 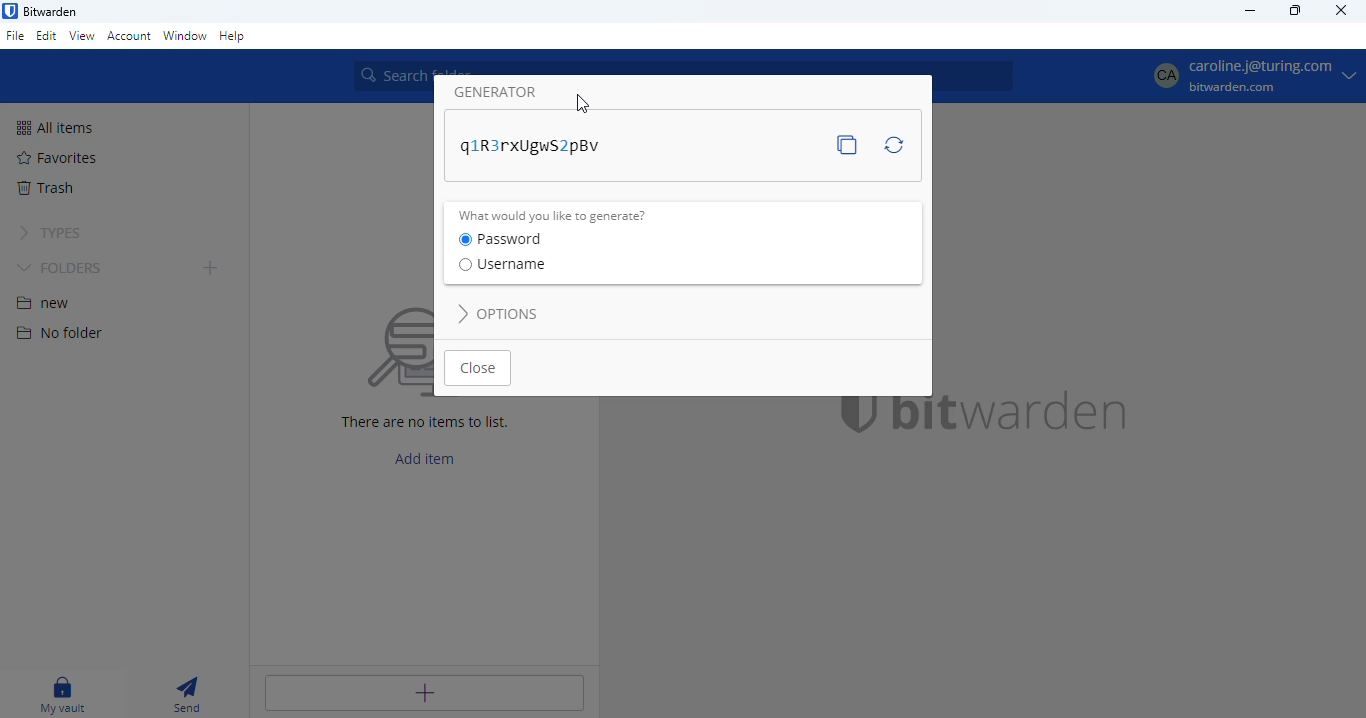 I want to click on trash, so click(x=44, y=188).